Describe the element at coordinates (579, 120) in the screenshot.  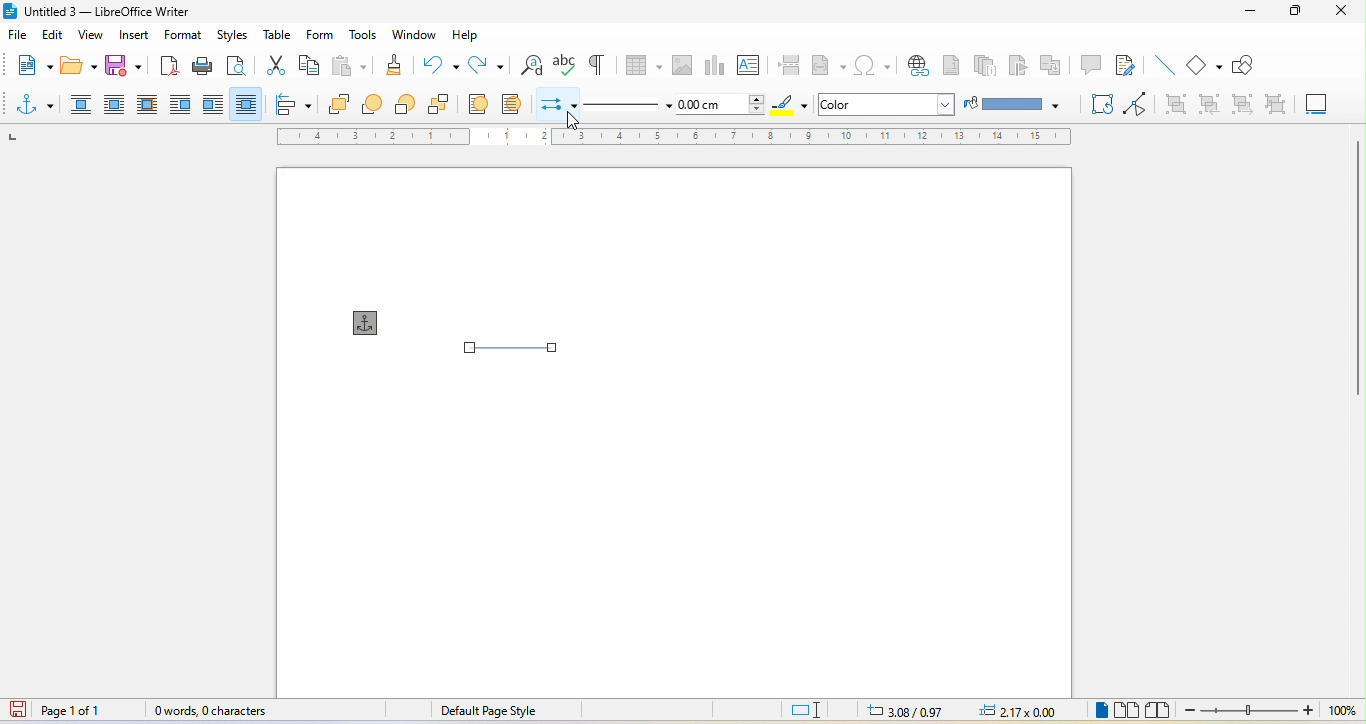
I see `cursor movement` at that location.